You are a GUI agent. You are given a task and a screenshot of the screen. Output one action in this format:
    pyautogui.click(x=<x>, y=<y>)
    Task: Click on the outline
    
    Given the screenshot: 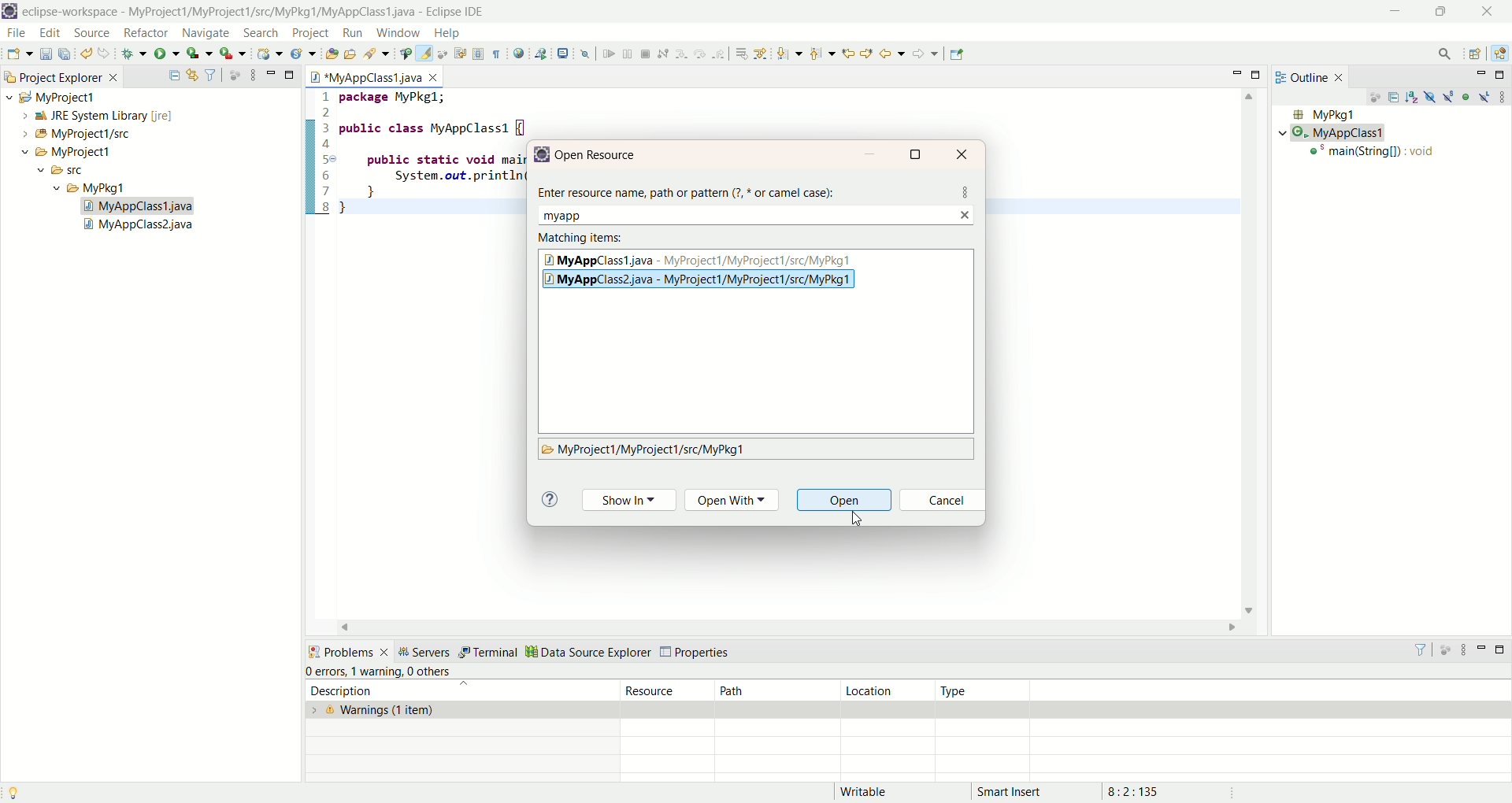 What is the action you would take?
    pyautogui.click(x=1313, y=76)
    